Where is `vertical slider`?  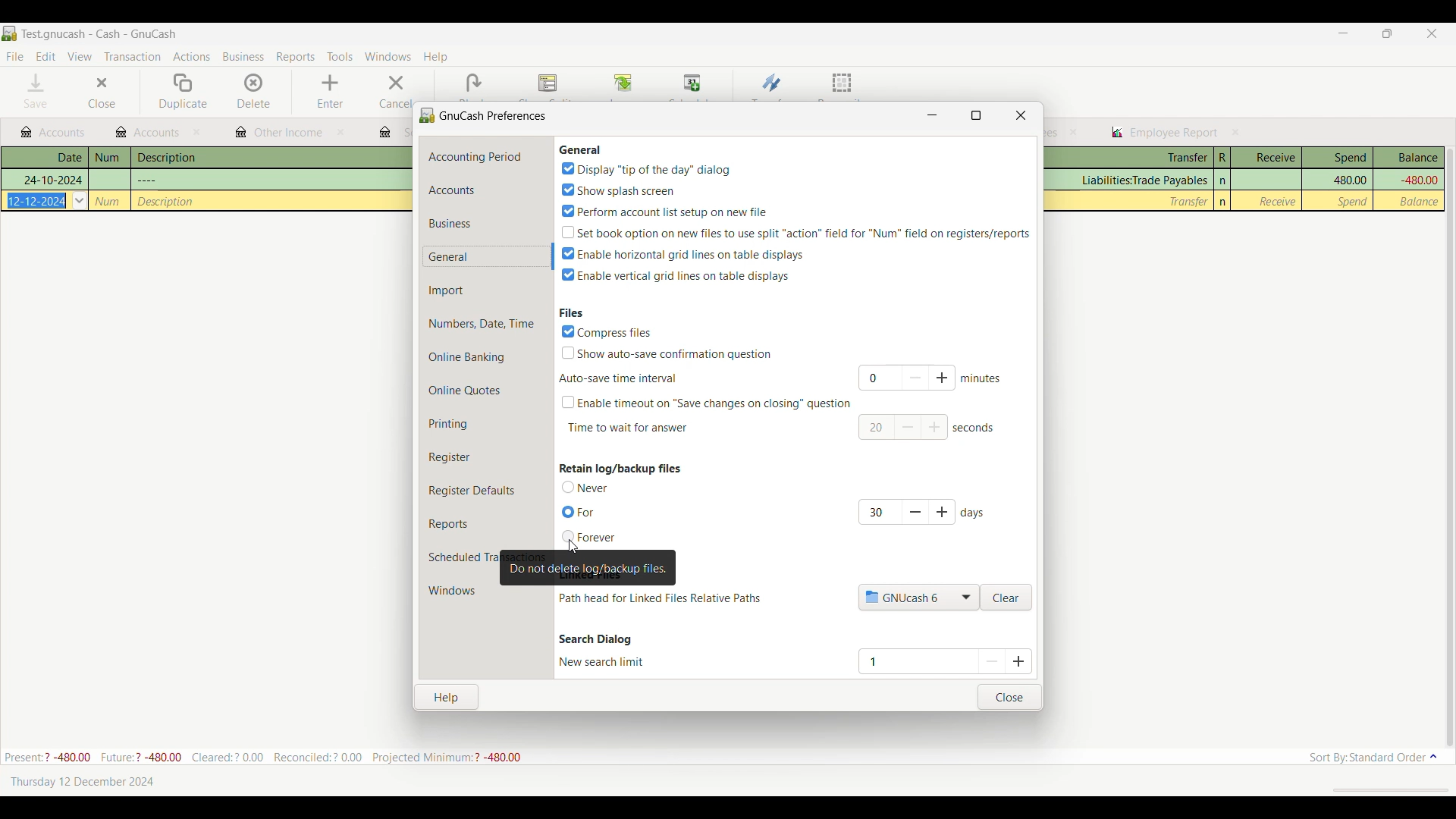
vertical slider is located at coordinates (1449, 440).